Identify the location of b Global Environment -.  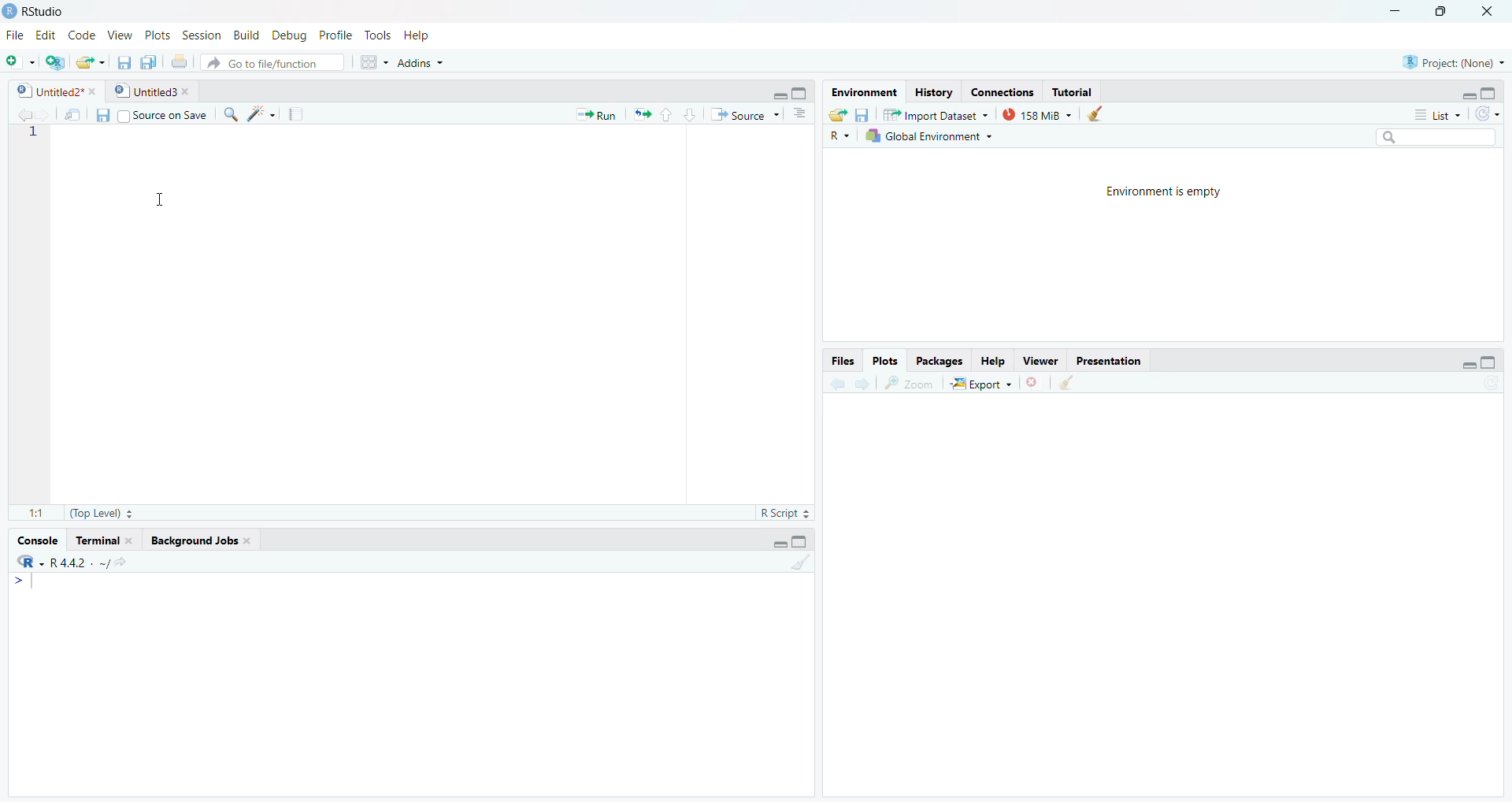
(925, 136).